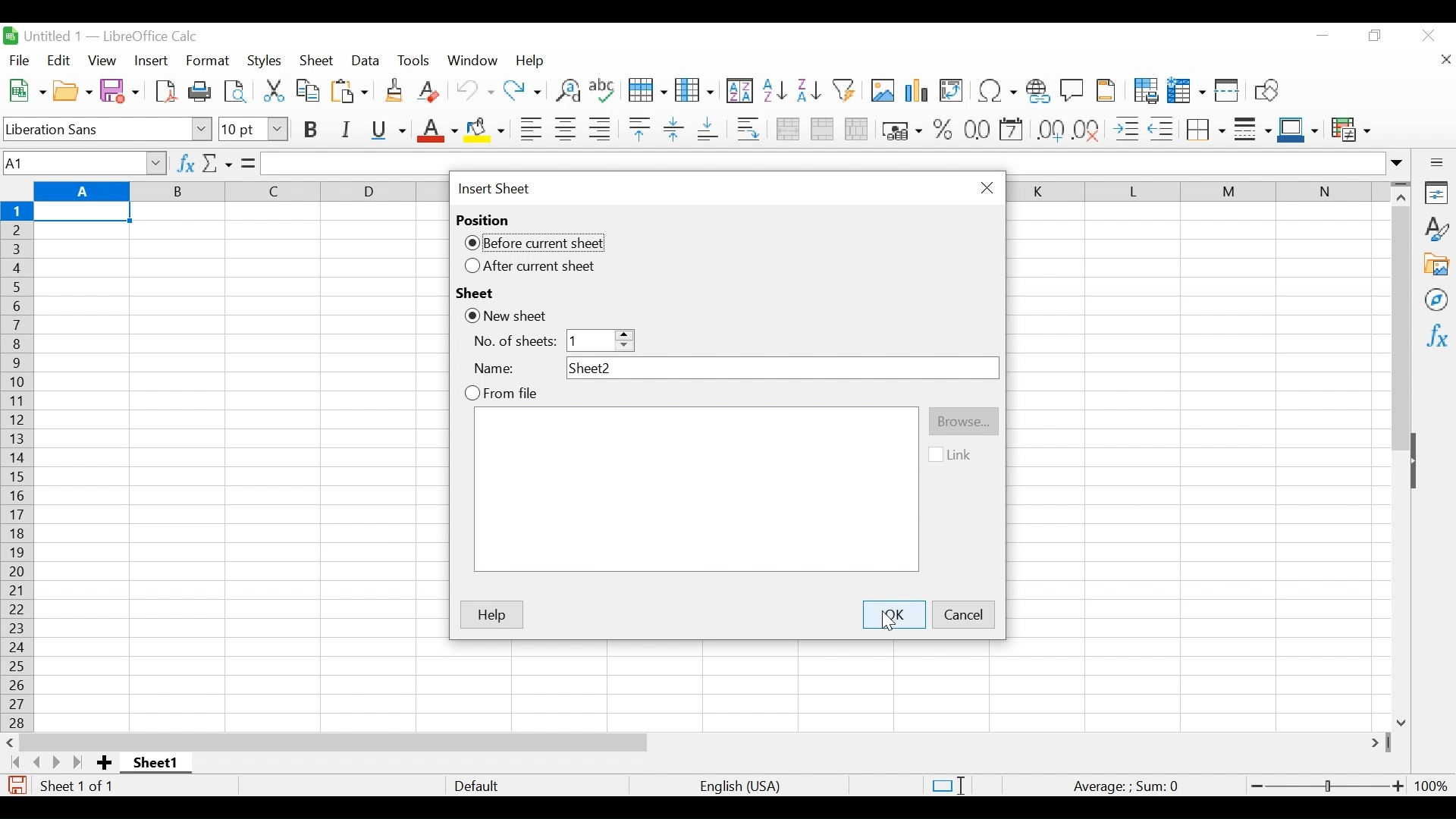 This screenshot has width=1456, height=819. What do you see at coordinates (1435, 193) in the screenshot?
I see `Properties` at bounding box center [1435, 193].